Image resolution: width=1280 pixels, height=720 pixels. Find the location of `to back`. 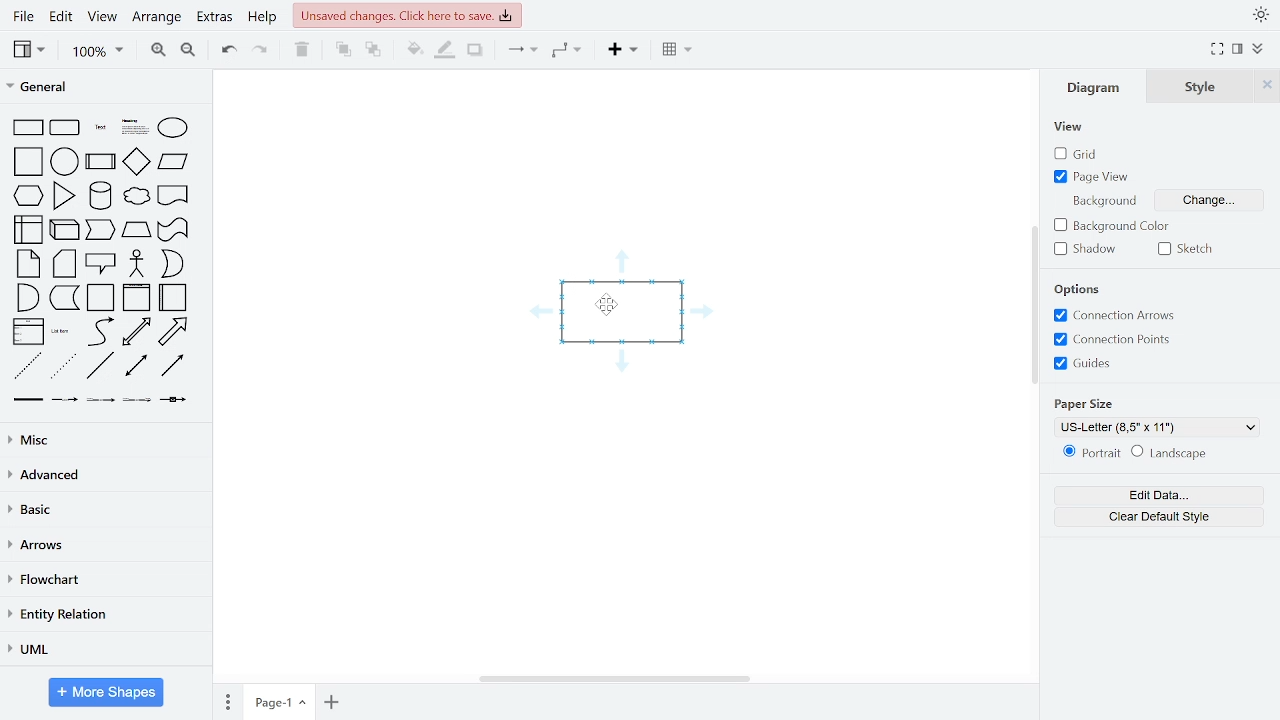

to back is located at coordinates (373, 50).